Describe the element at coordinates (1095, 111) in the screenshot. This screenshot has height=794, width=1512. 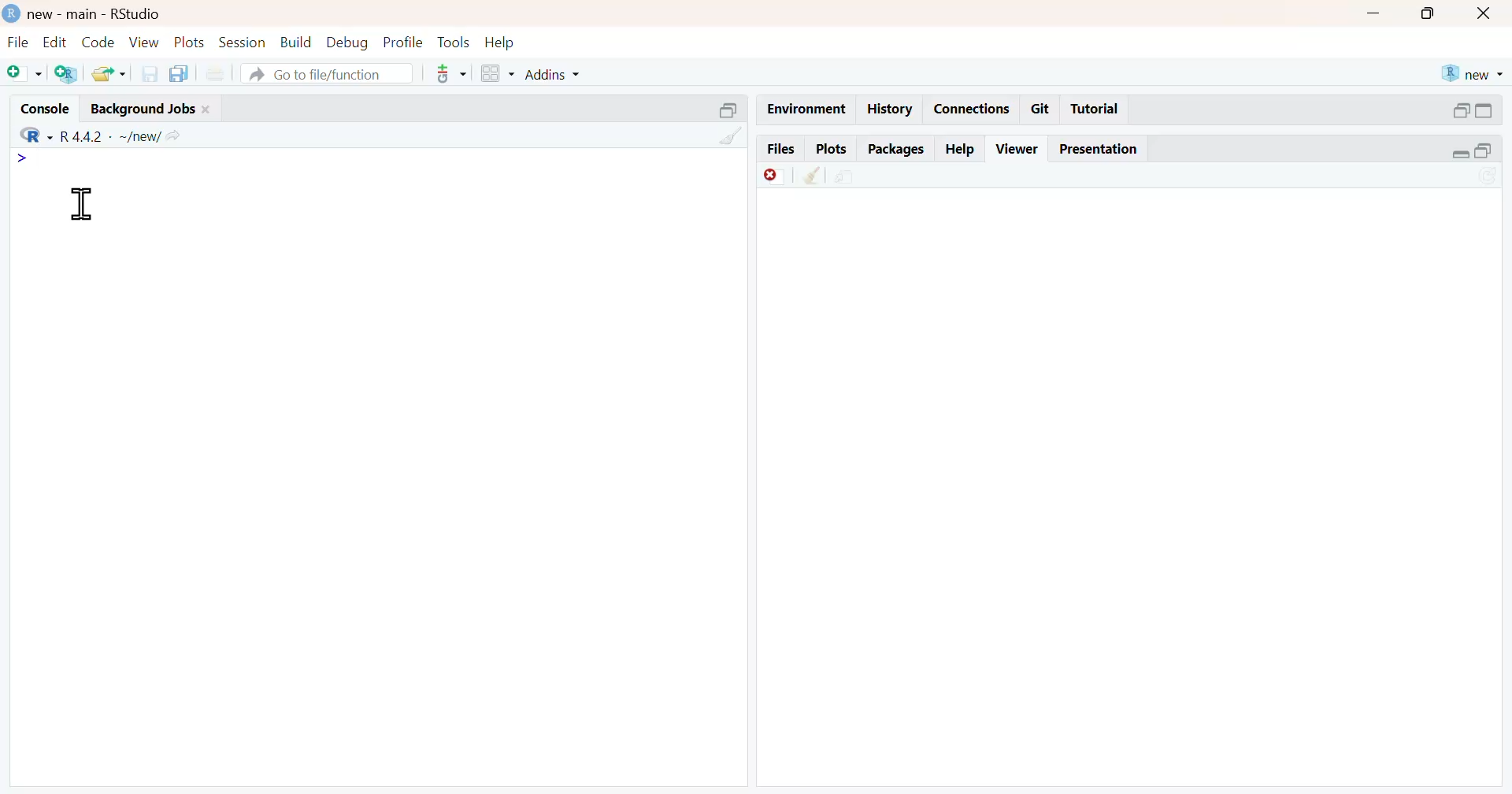
I see `tutorial` at that location.